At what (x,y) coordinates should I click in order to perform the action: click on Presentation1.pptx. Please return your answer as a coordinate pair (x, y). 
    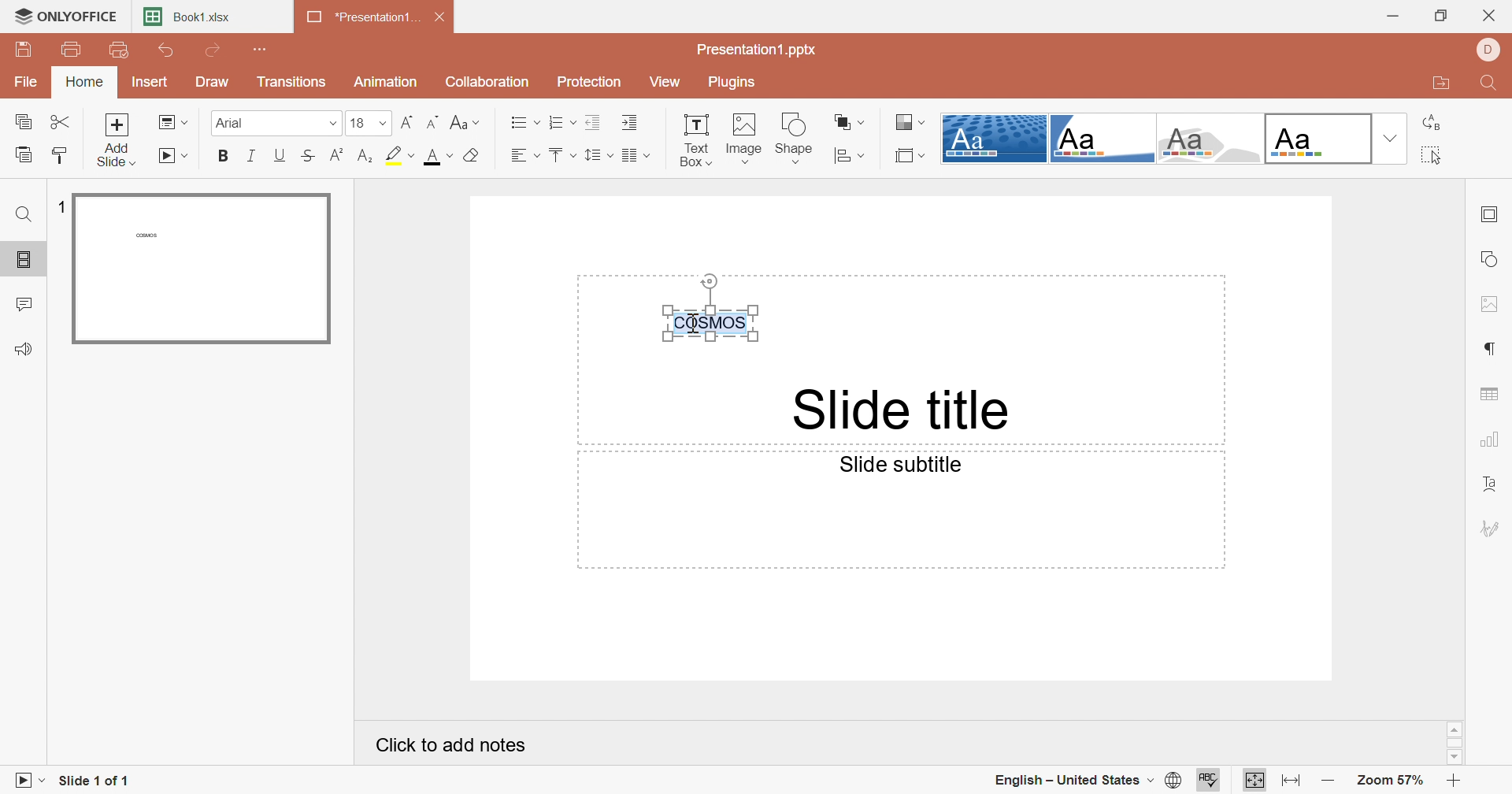
    Looking at the image, I should click on (754, 49).